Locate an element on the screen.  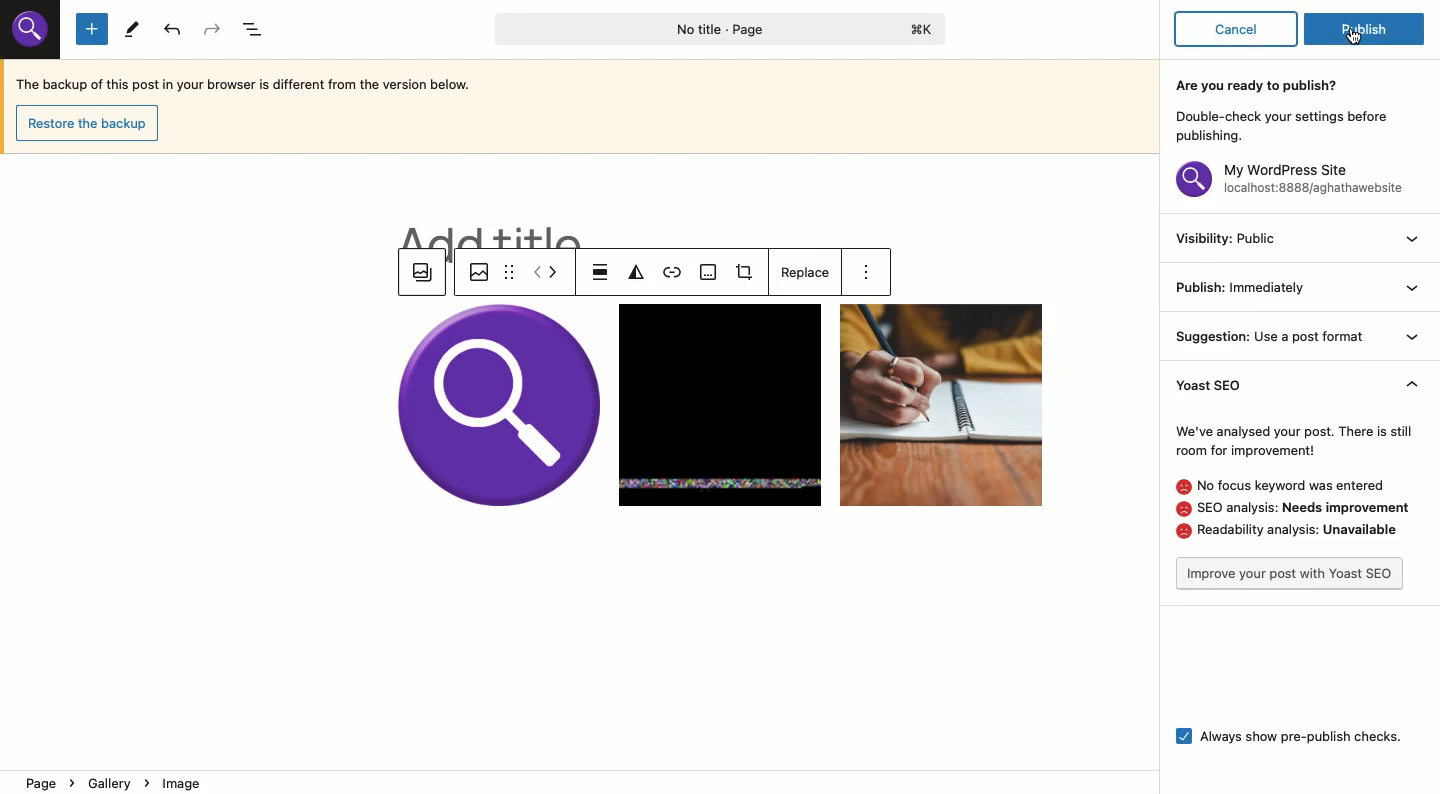
Move left right is located at coordinates (546, 273).